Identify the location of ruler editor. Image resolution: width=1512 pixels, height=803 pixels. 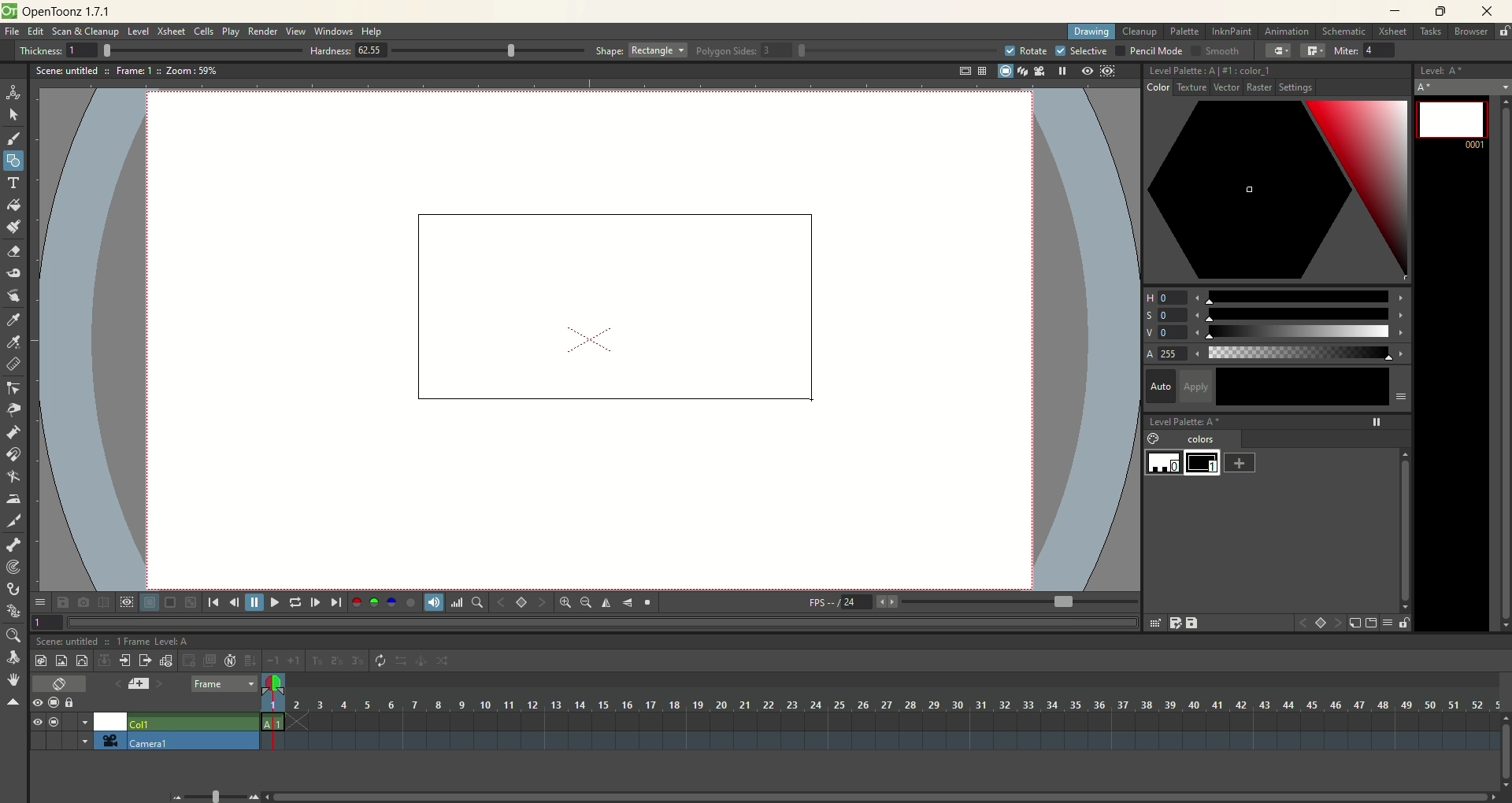
(13, 364).